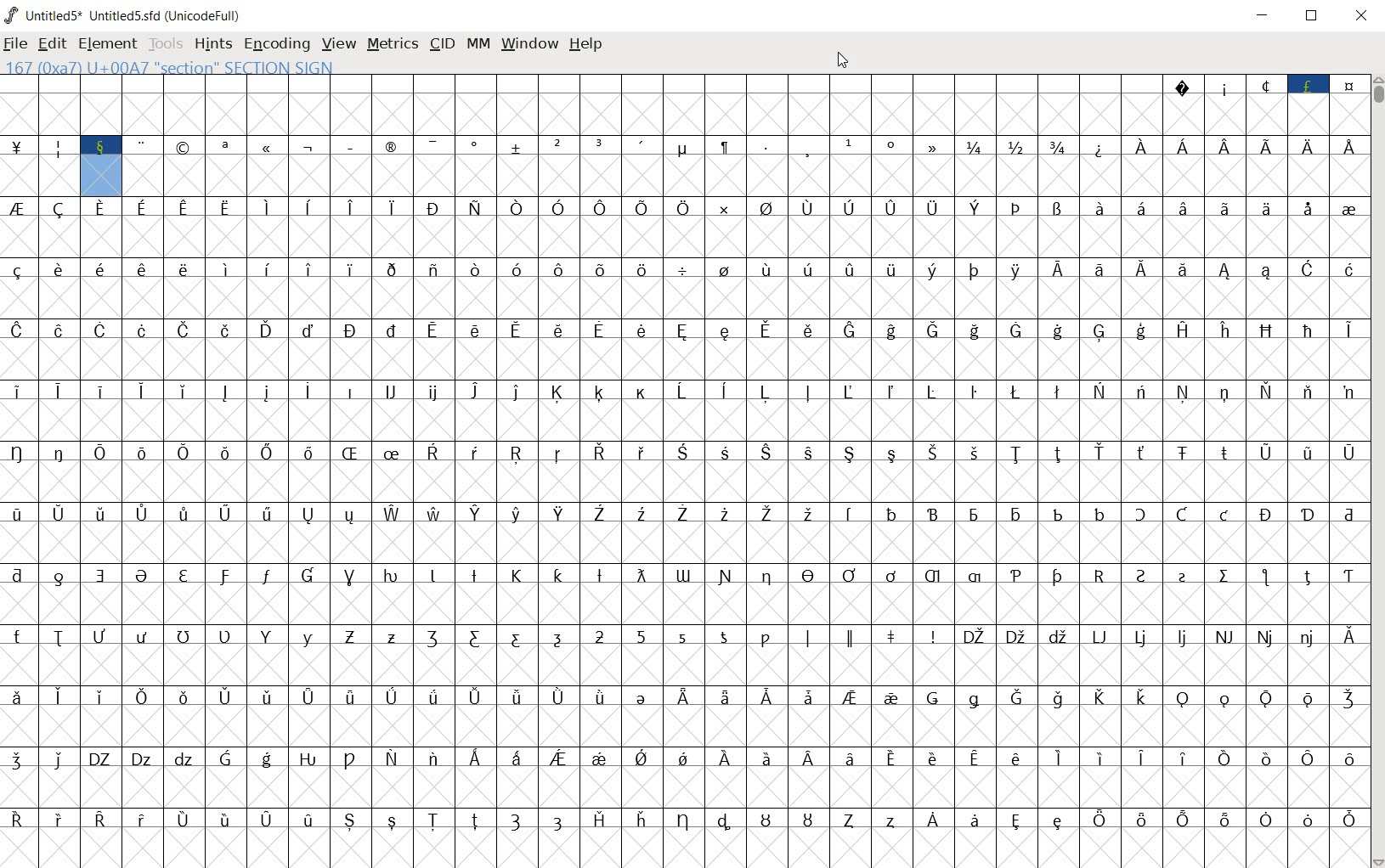  Describe the element at coordinates (16, 43) in the screenshot. I see `file` at that location.